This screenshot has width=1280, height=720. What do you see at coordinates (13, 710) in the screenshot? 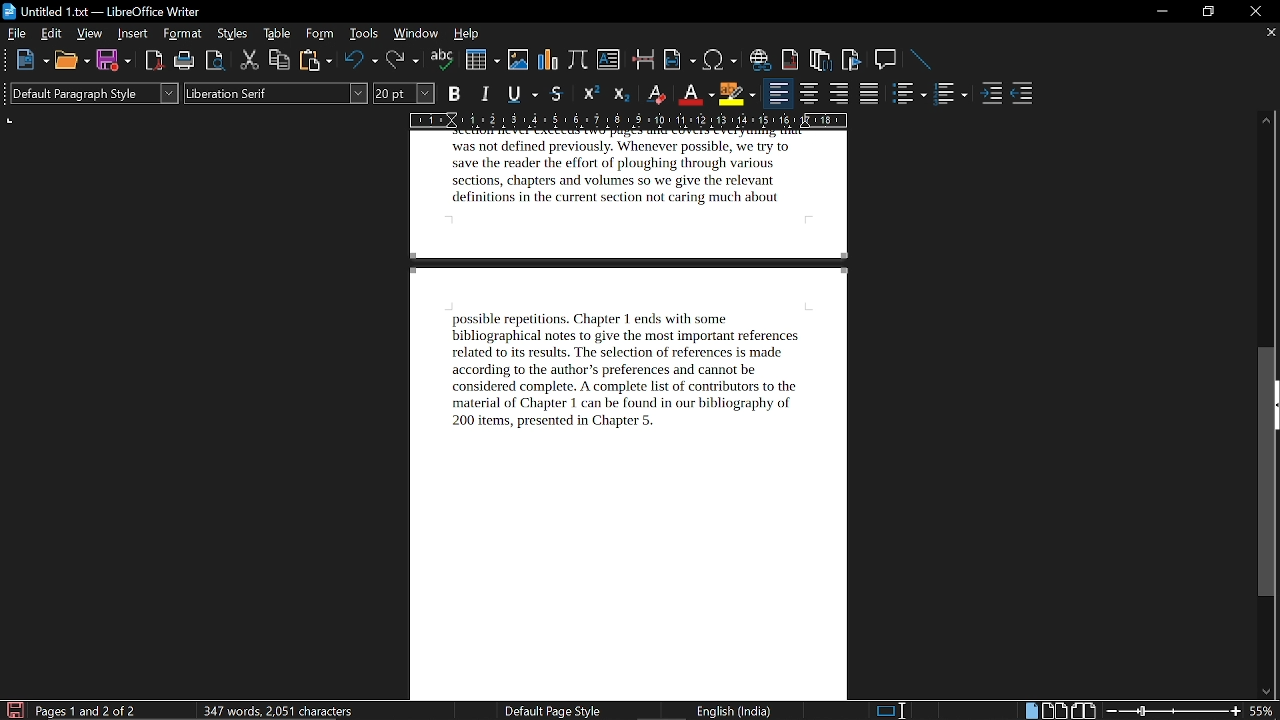
I see `save` at bounding box center [13, 710].